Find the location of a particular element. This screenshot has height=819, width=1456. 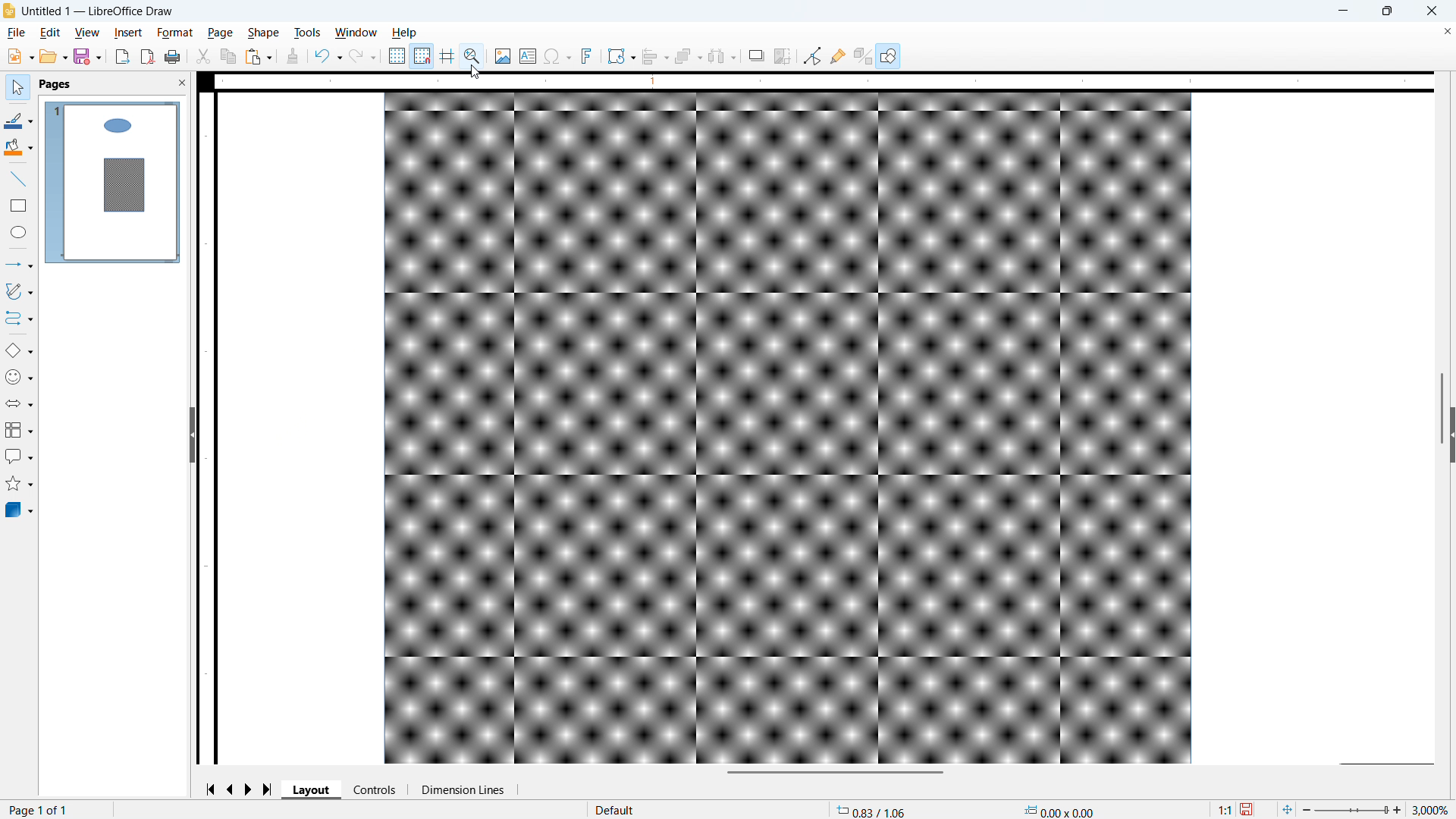

Stars and banners  is located at coordinates (20, 484).